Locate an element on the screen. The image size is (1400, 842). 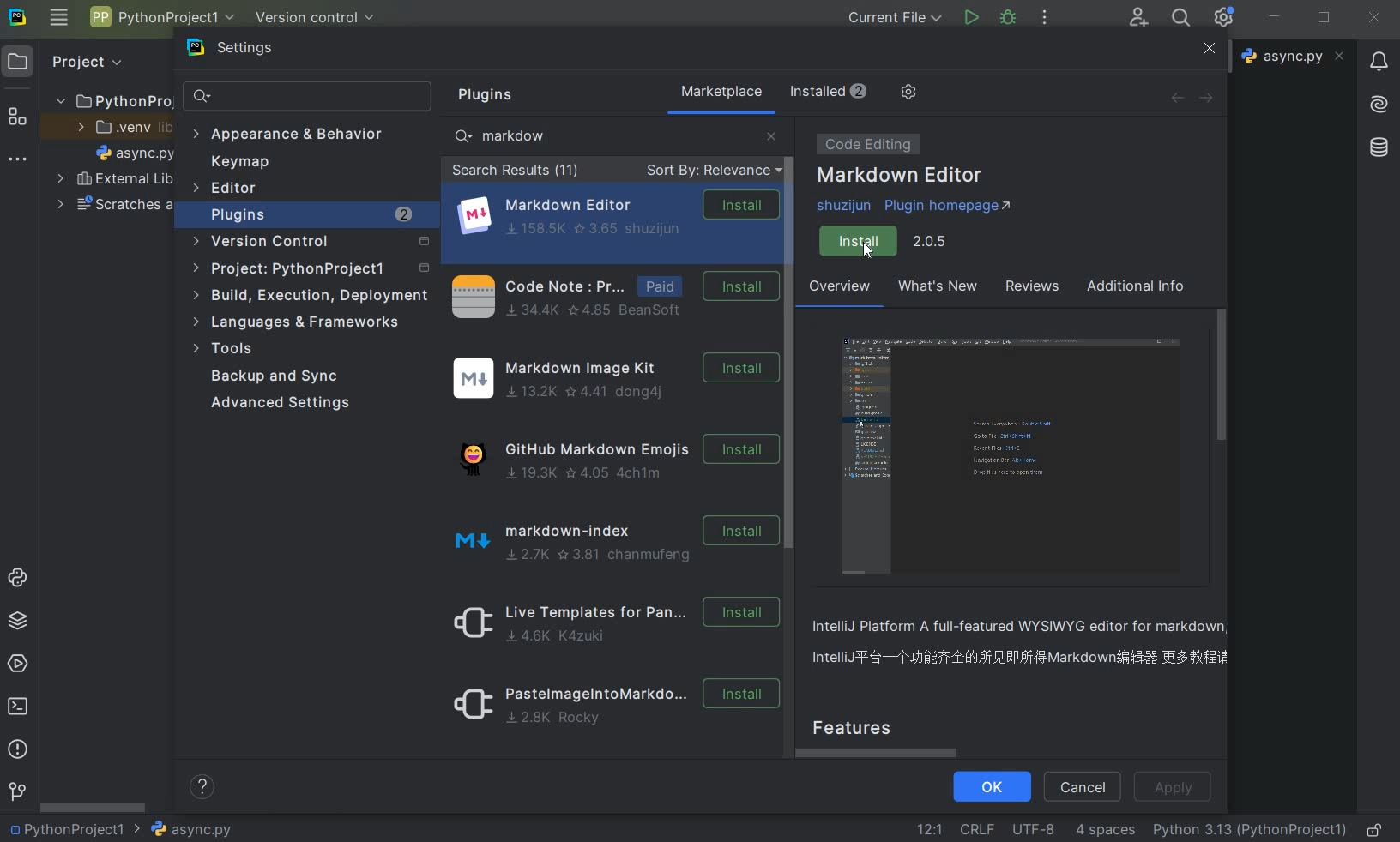
code editing is located at coordinates (865, 144).